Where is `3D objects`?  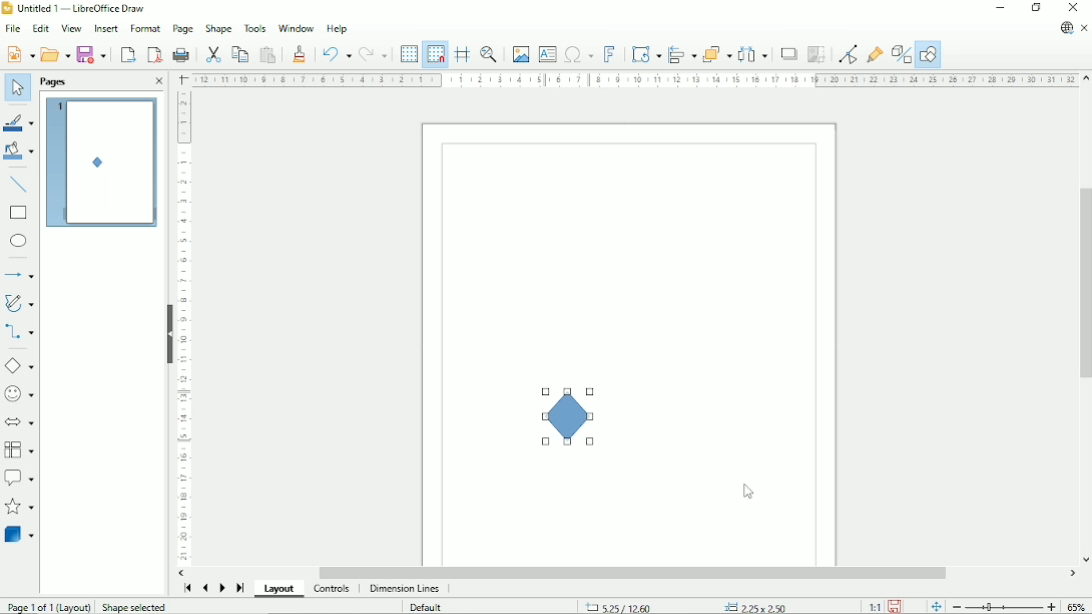
3D objects is located at coordinates (19, 537).